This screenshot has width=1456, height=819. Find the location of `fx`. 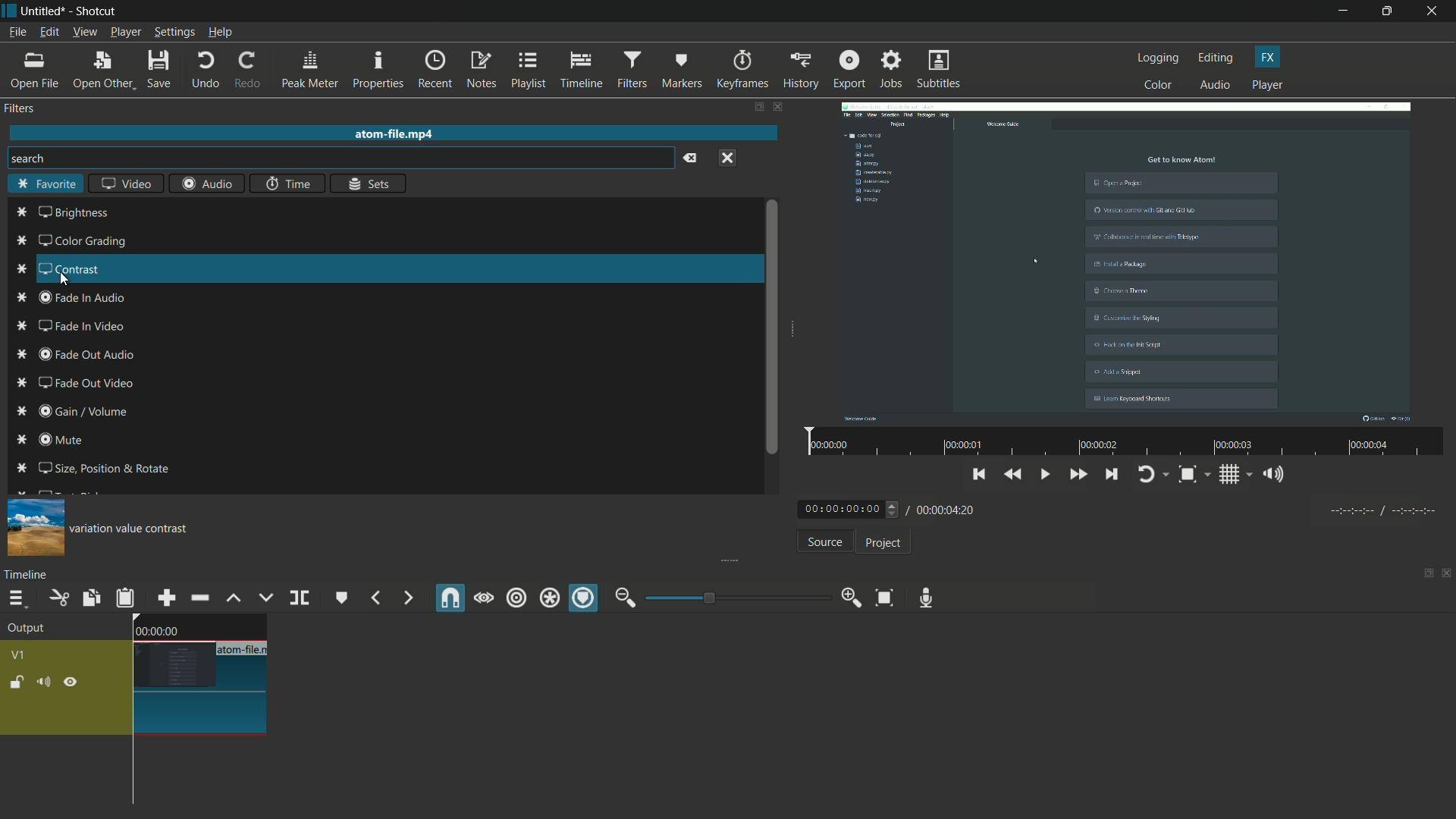

fx is located at coordinates (1268, 57).